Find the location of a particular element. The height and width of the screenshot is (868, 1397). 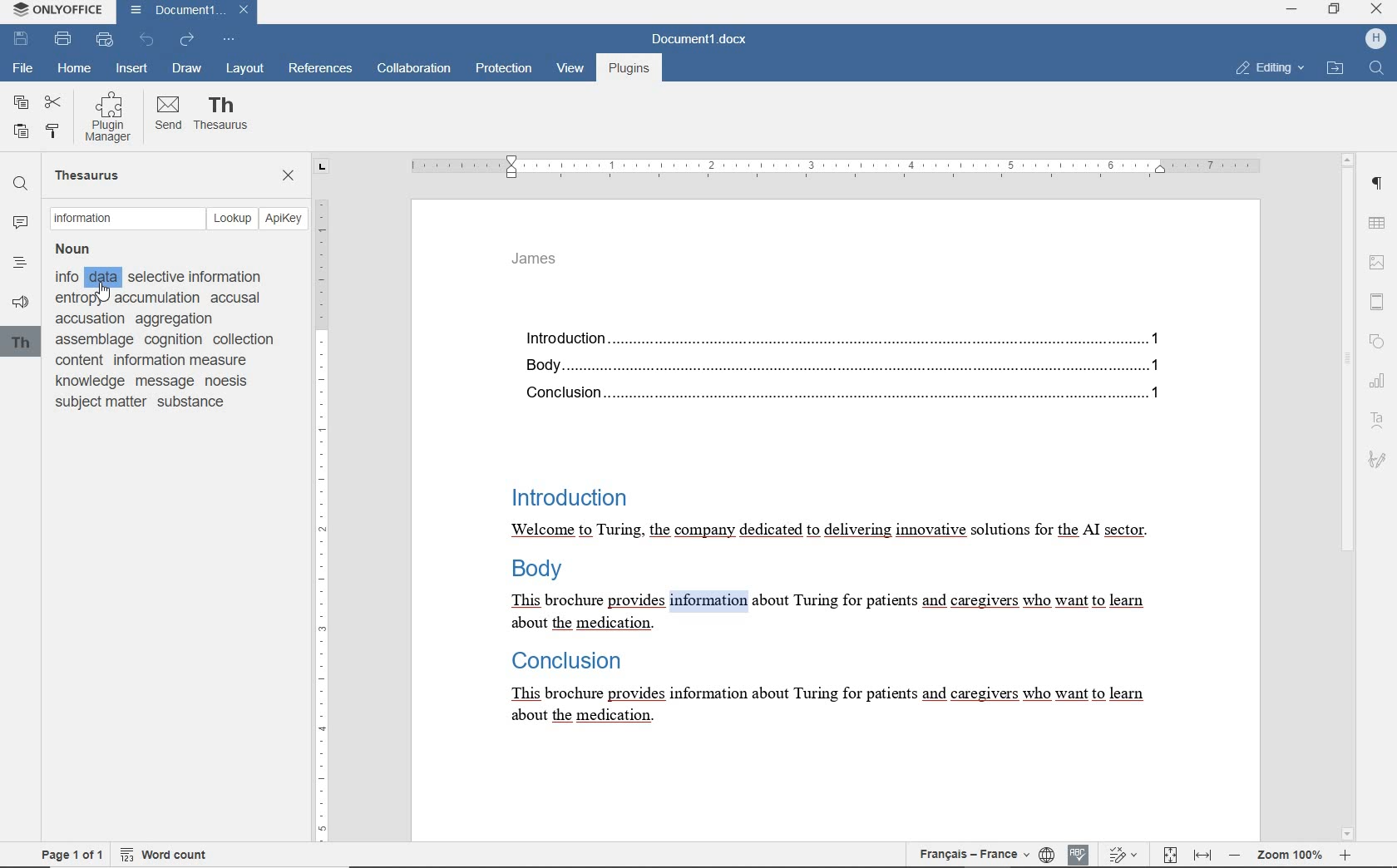

COPY STYLE is located at coordinates (54, 131).